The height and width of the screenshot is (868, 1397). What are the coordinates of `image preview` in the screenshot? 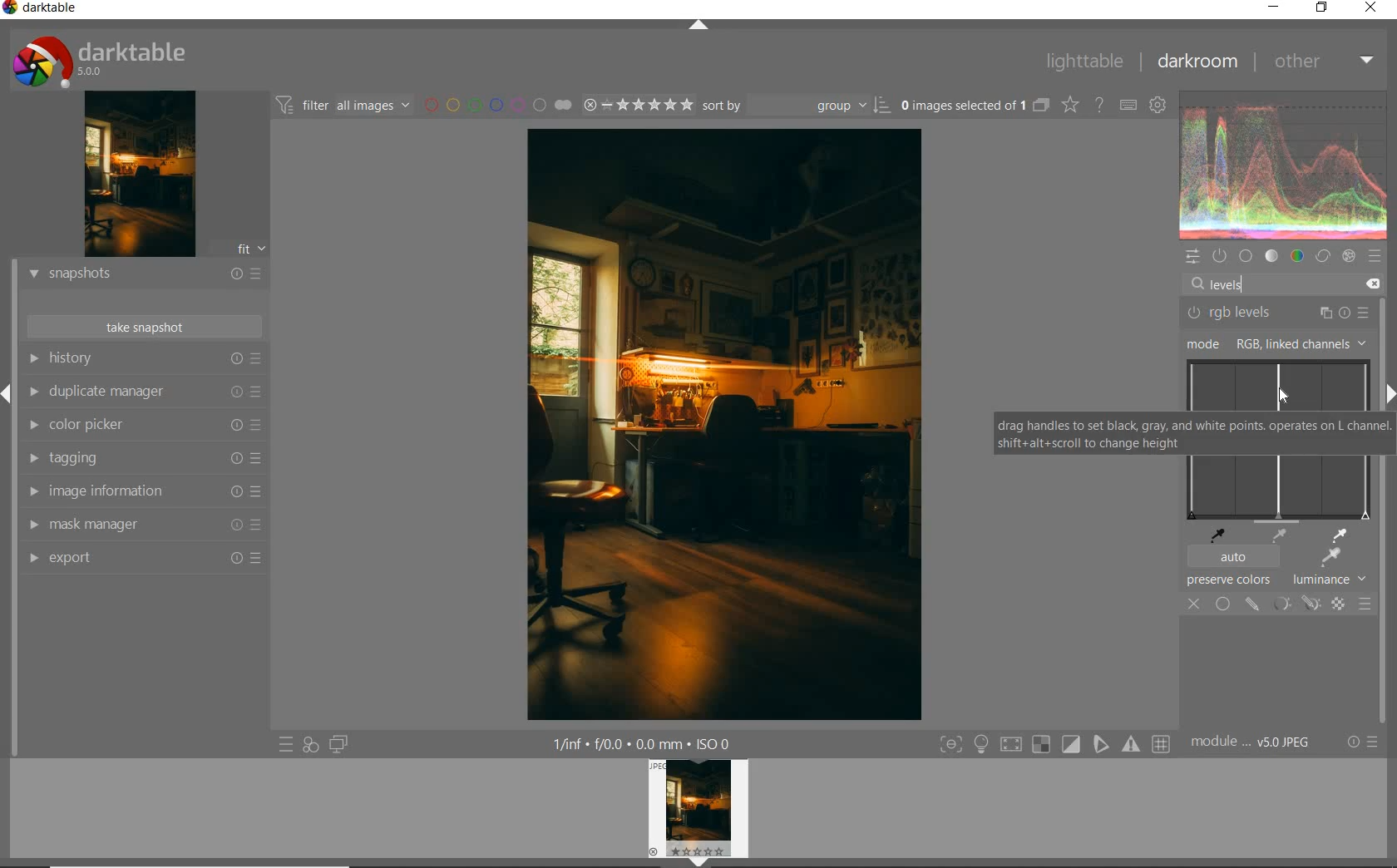 It's located at (698, 813).